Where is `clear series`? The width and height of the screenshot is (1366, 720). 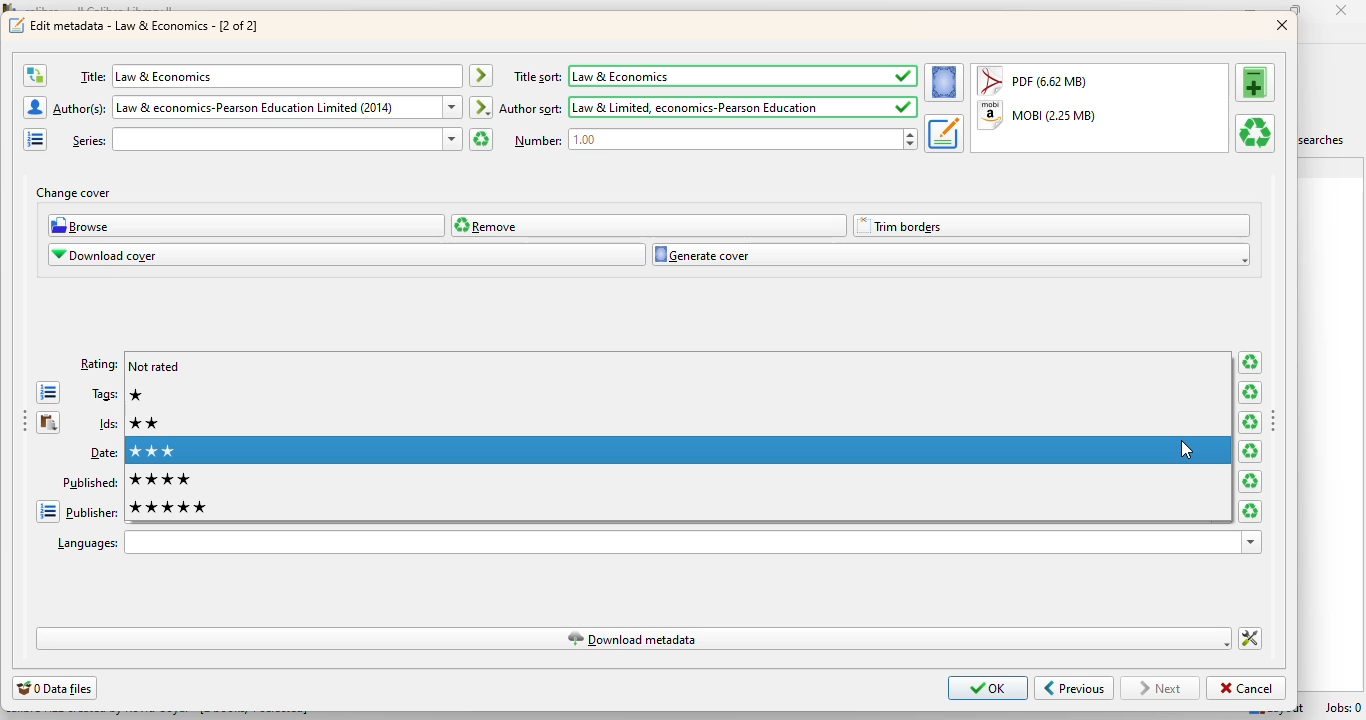 clear series is located at coordinates (479, 139).